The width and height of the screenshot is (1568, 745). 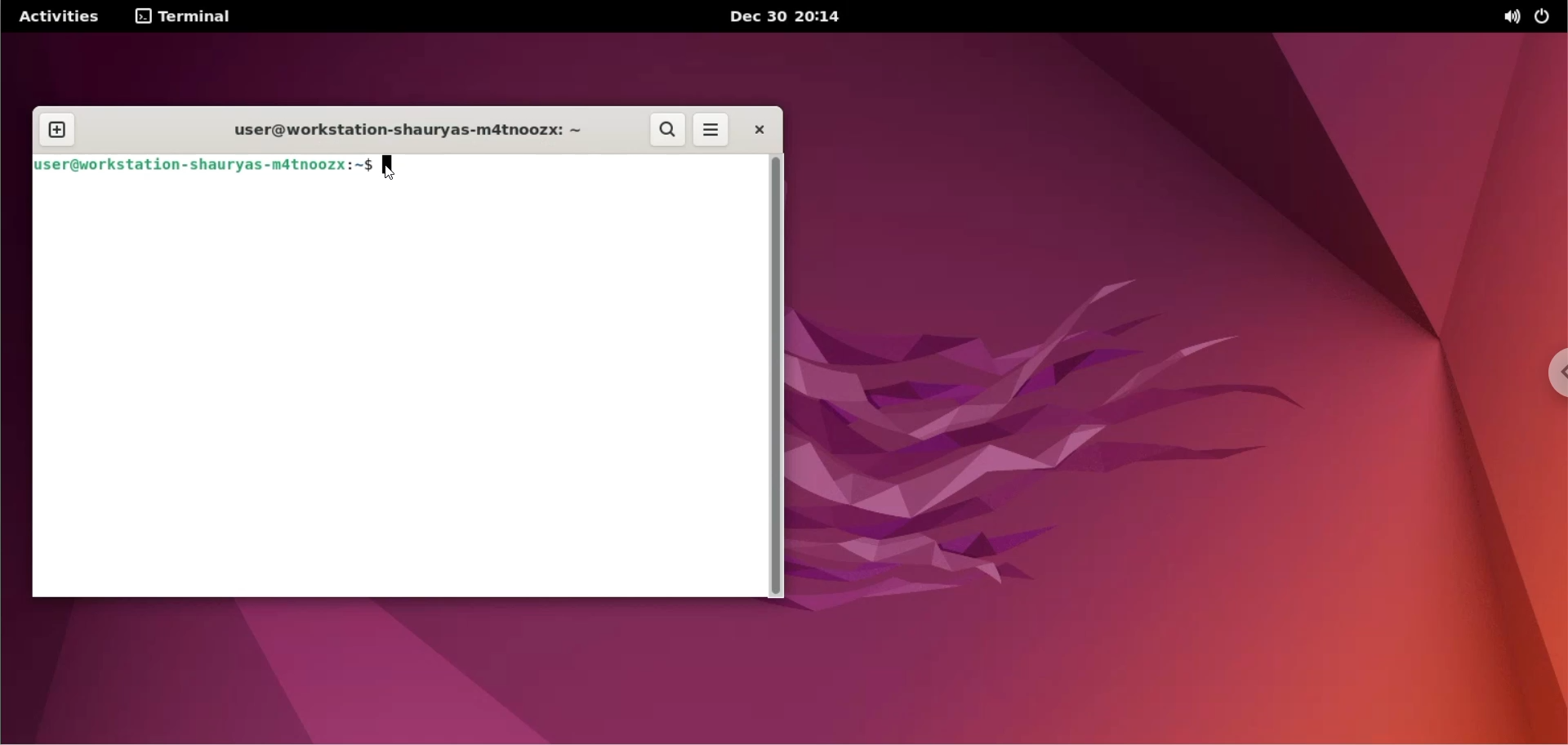 What do you see at coordinates (668, 127) in the screenshot?
I see `search` at bounding box center [668, 127].